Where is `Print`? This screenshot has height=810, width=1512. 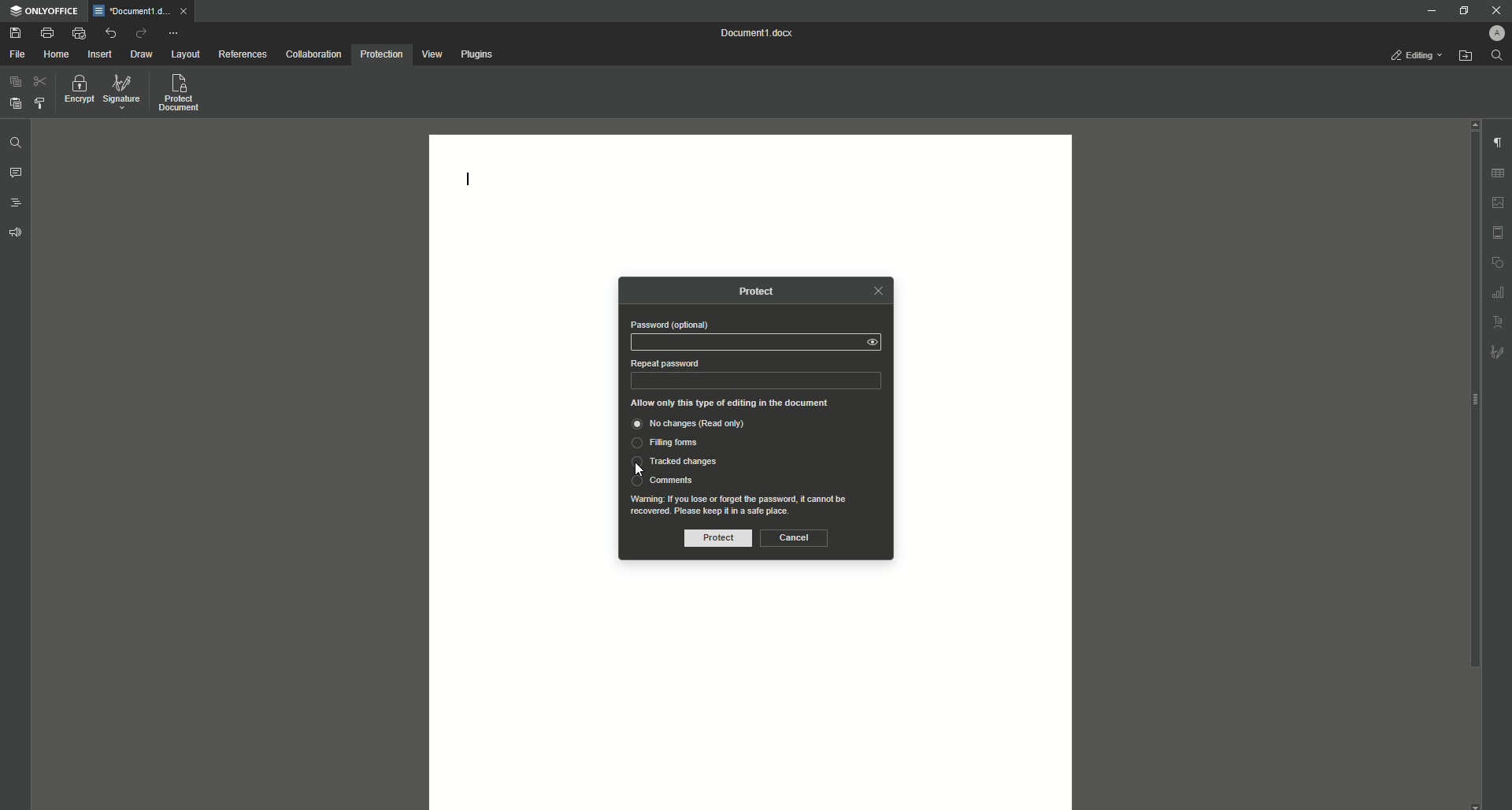
Print is located at coordinates (45, 33).